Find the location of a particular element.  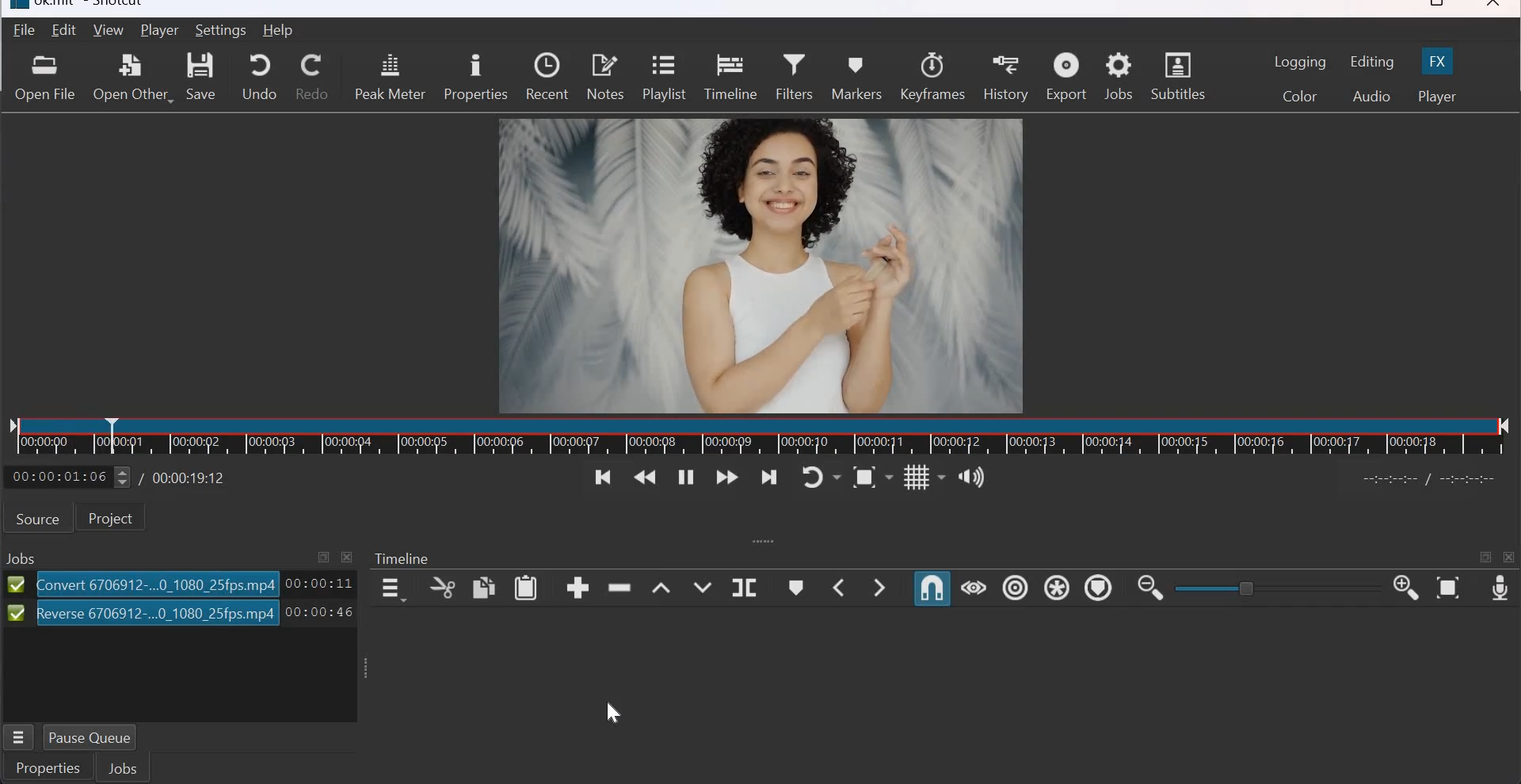

append is located at coordinates (578, 588).